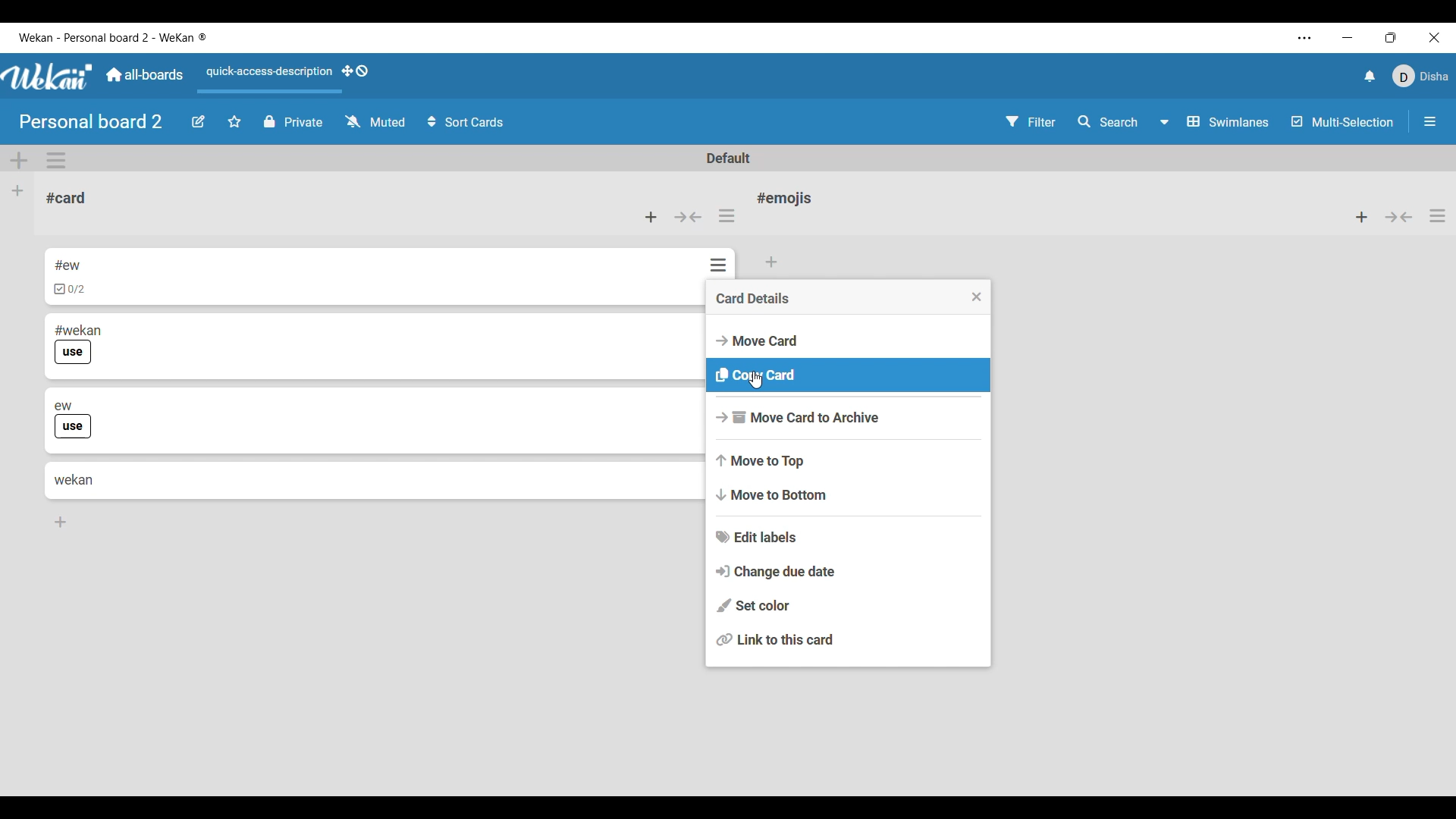 The height and width of the screenshot is (819, 1456). What do you see at coordinates (167, 400) in the screenshot?
I see `Card 3` at bounding box center [167, 400].